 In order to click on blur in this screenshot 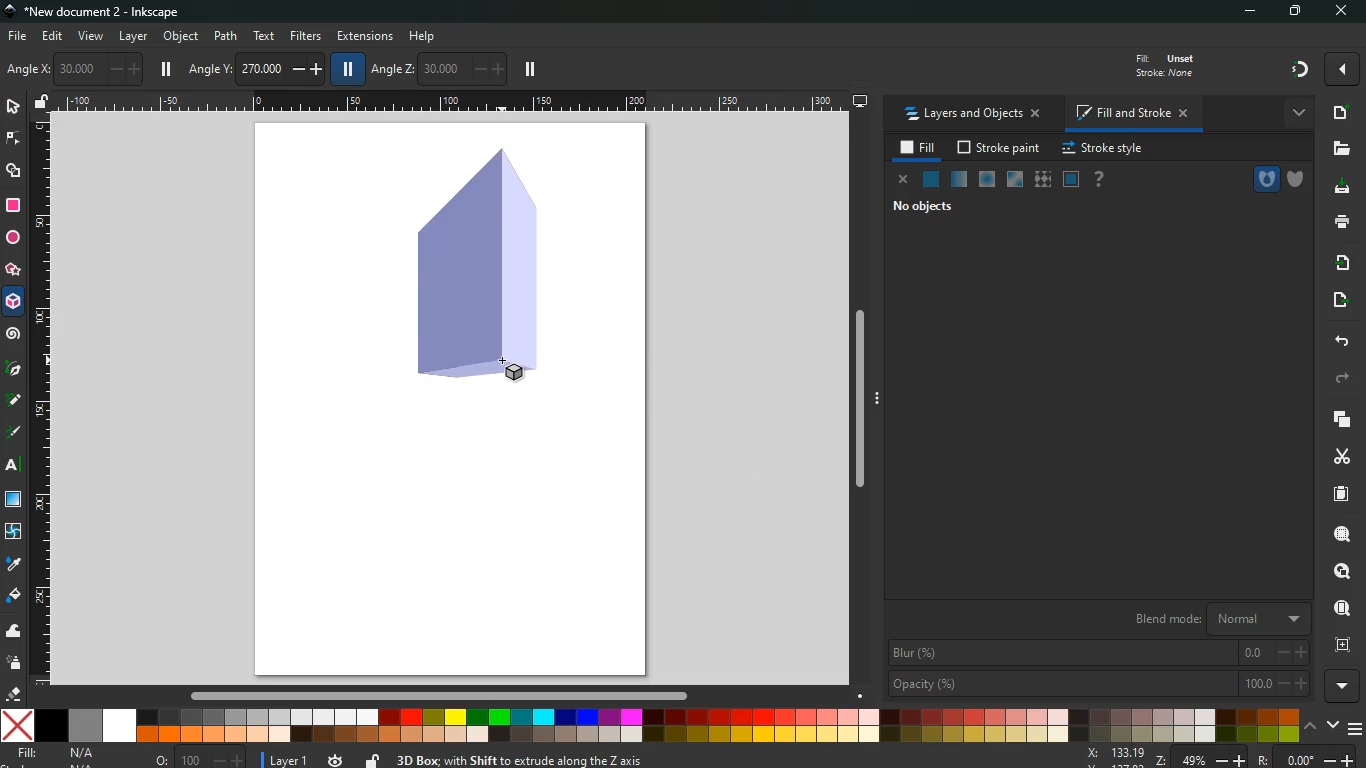, I will do `click(1100, 652)`.